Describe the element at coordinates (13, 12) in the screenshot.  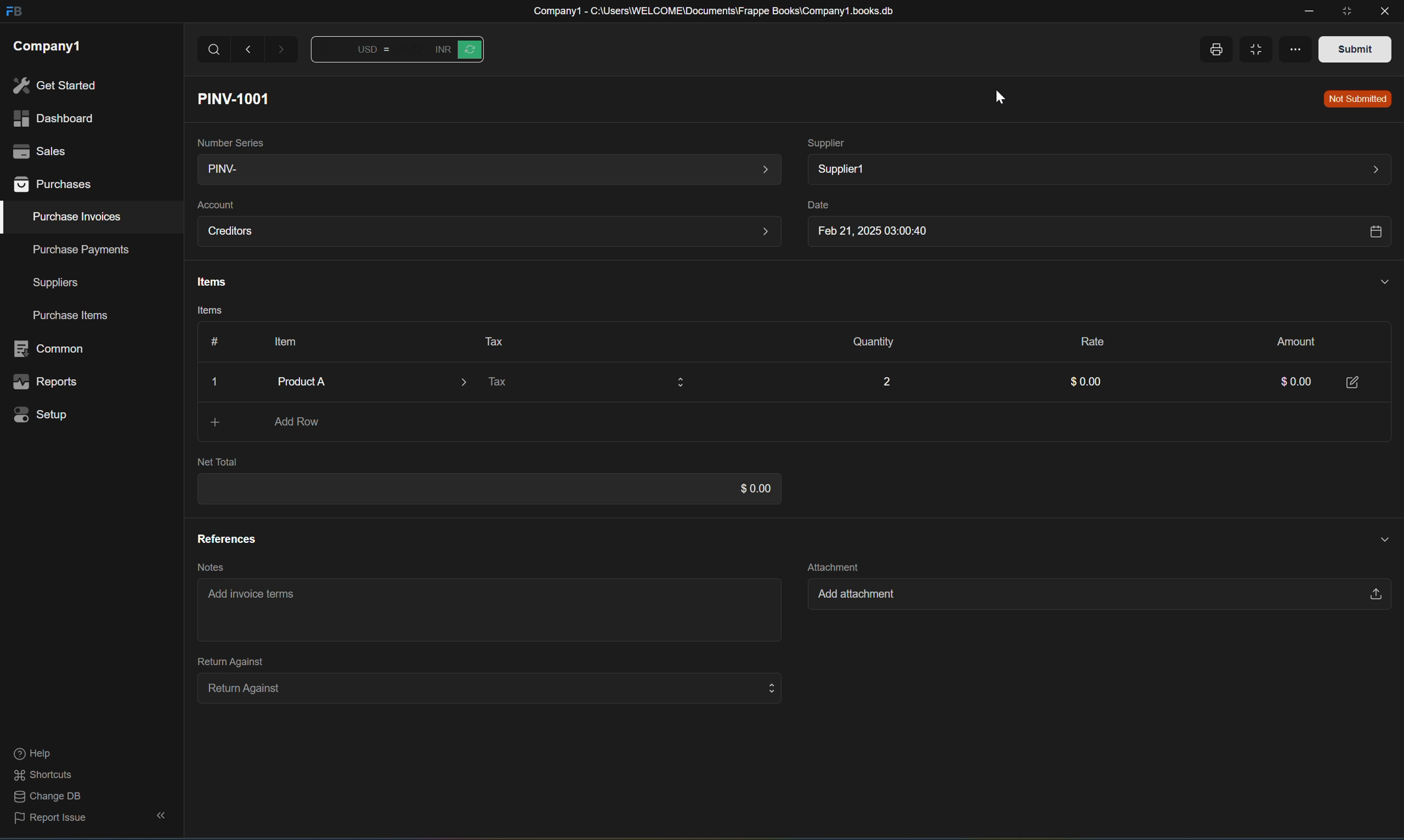
I see `FB` at that location.